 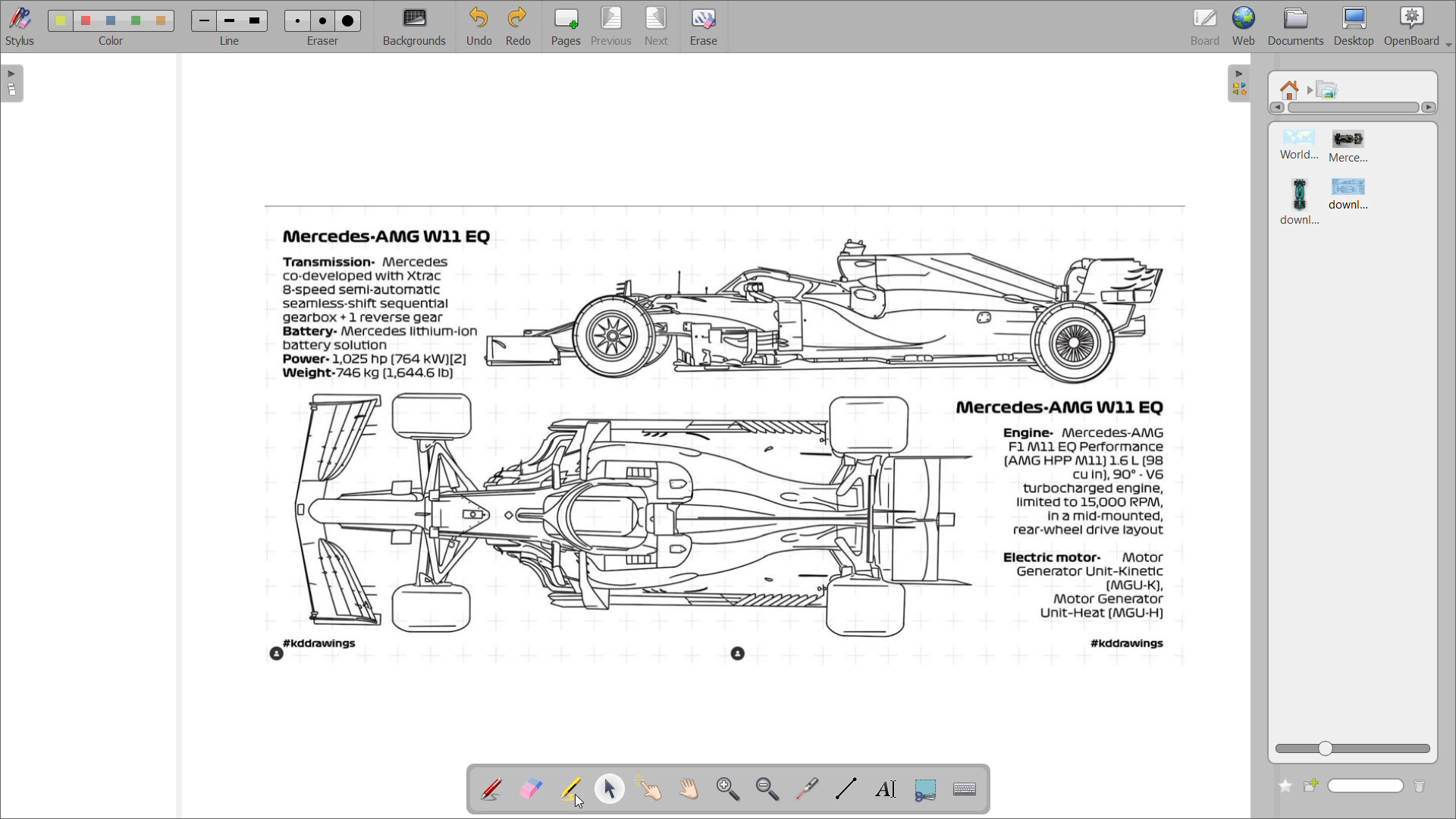 What do you see at coordinates (1358, 27) in the screenshot?
I see `desktop` at bounding box center [1358, 27].